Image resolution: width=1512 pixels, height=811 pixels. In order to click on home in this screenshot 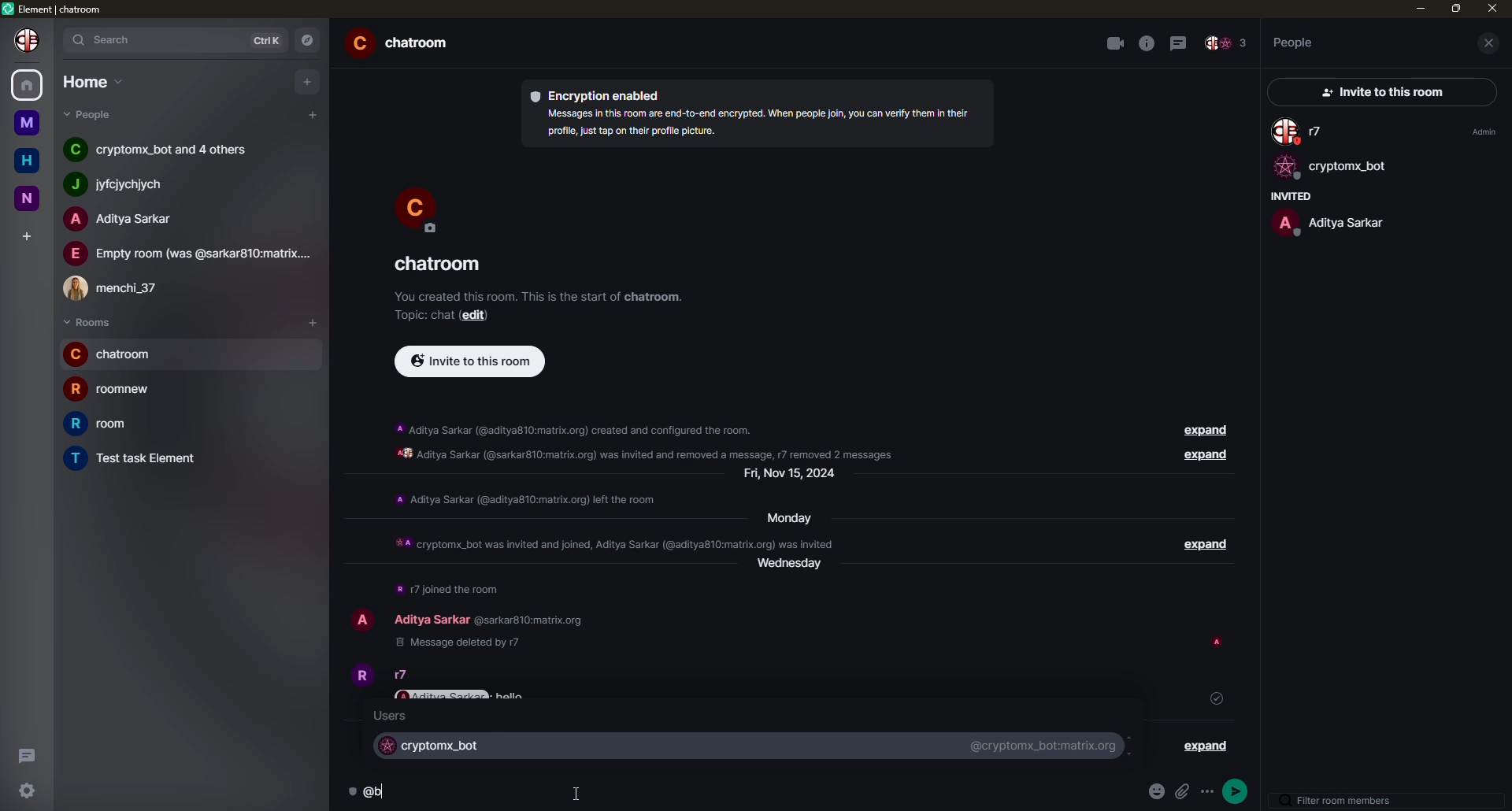, I will do `click(28, 83)`.